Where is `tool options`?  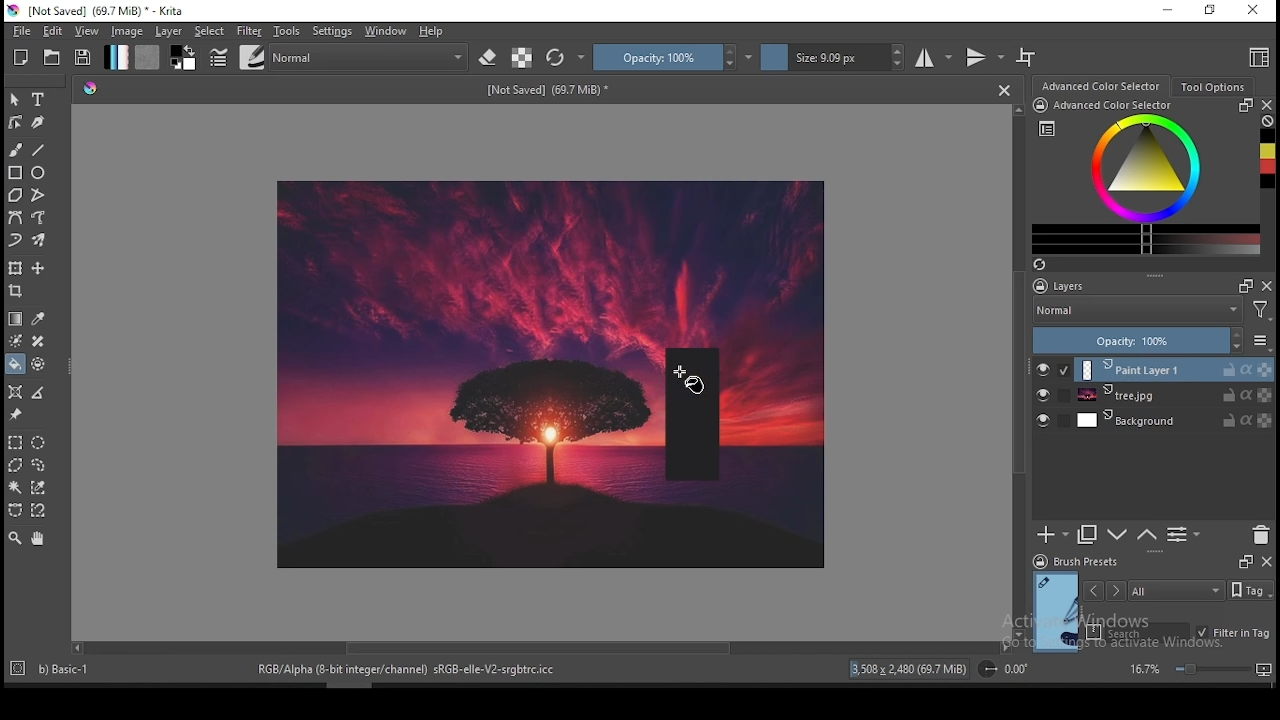 tool options is located at coordinates (1211, 86).